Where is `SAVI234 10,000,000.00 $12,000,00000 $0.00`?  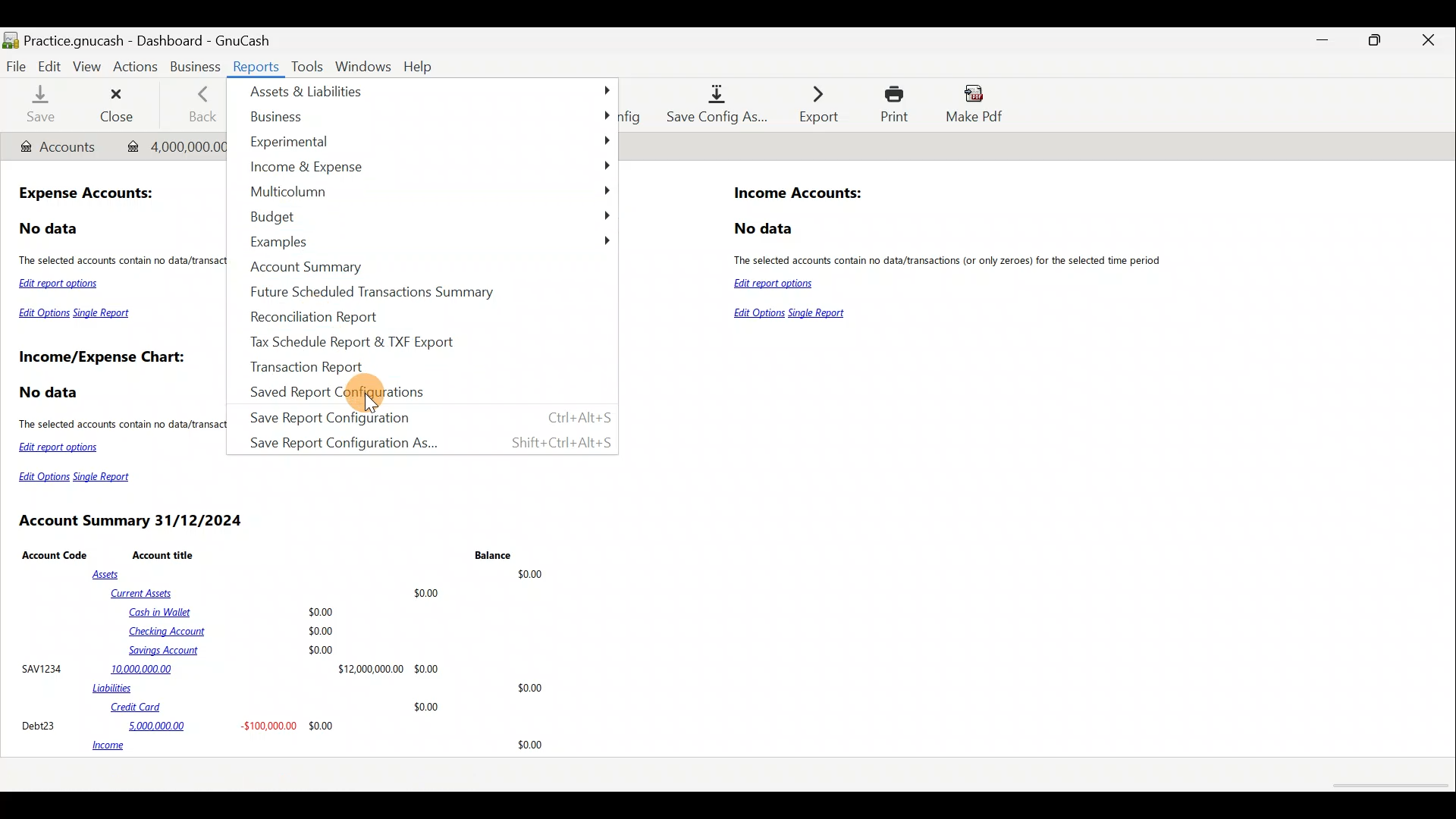 SAVI234 10,000,000.00 $12,000,00000 $0.00 is located at coordinates (230, 668).